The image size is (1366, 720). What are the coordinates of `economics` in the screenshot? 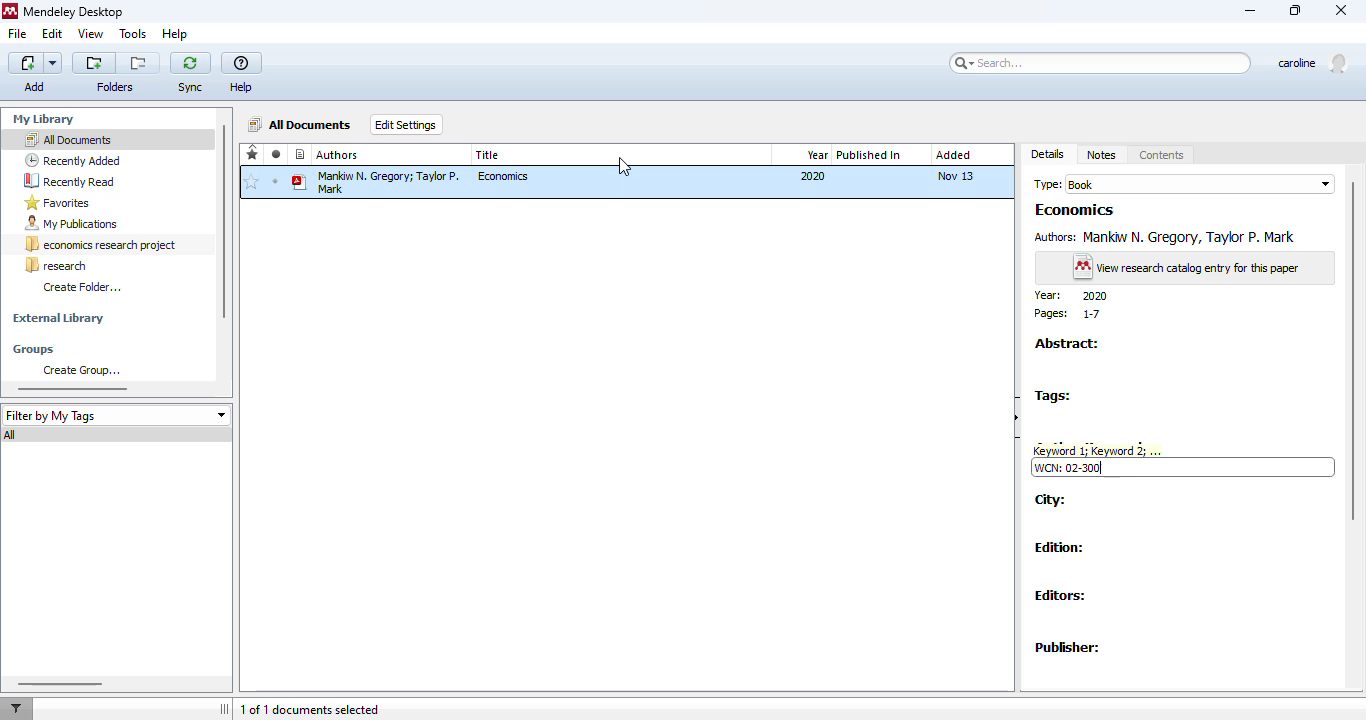 It's located at (505, 176).